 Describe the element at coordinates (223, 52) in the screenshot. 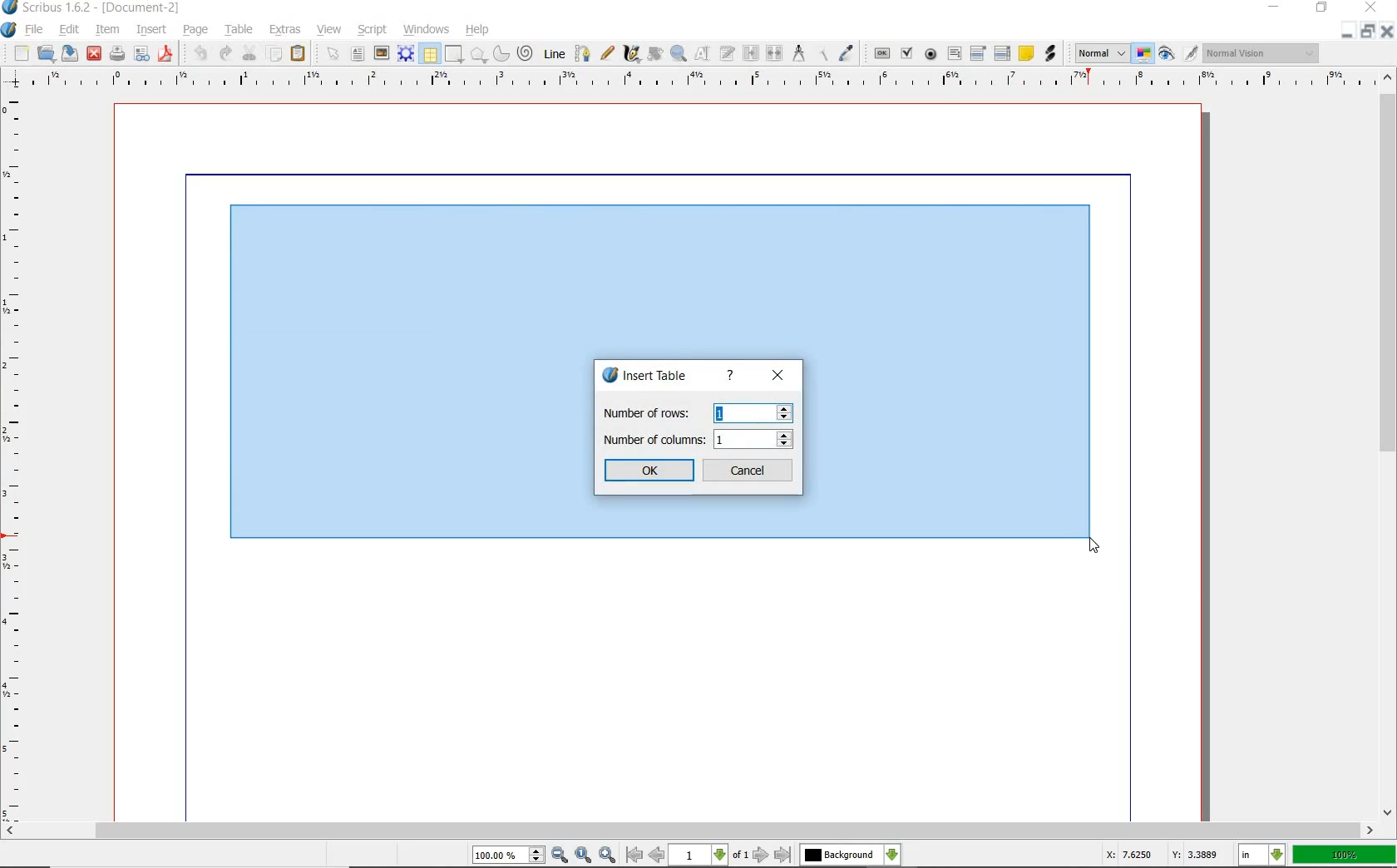

I see `redo` at that location.